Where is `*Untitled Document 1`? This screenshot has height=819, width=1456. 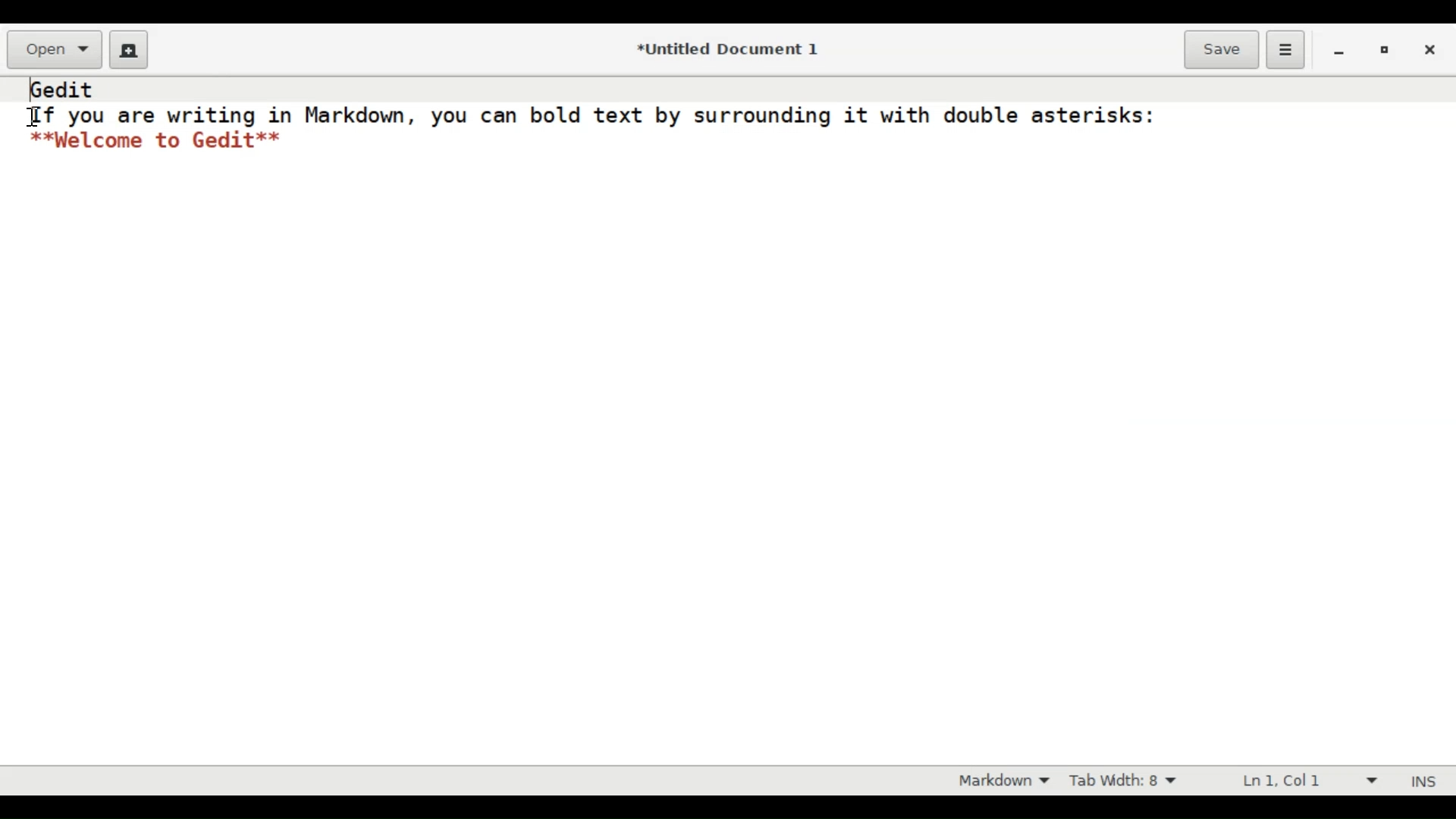 *Untitled Document 1 is located at coordinates (726, 50).